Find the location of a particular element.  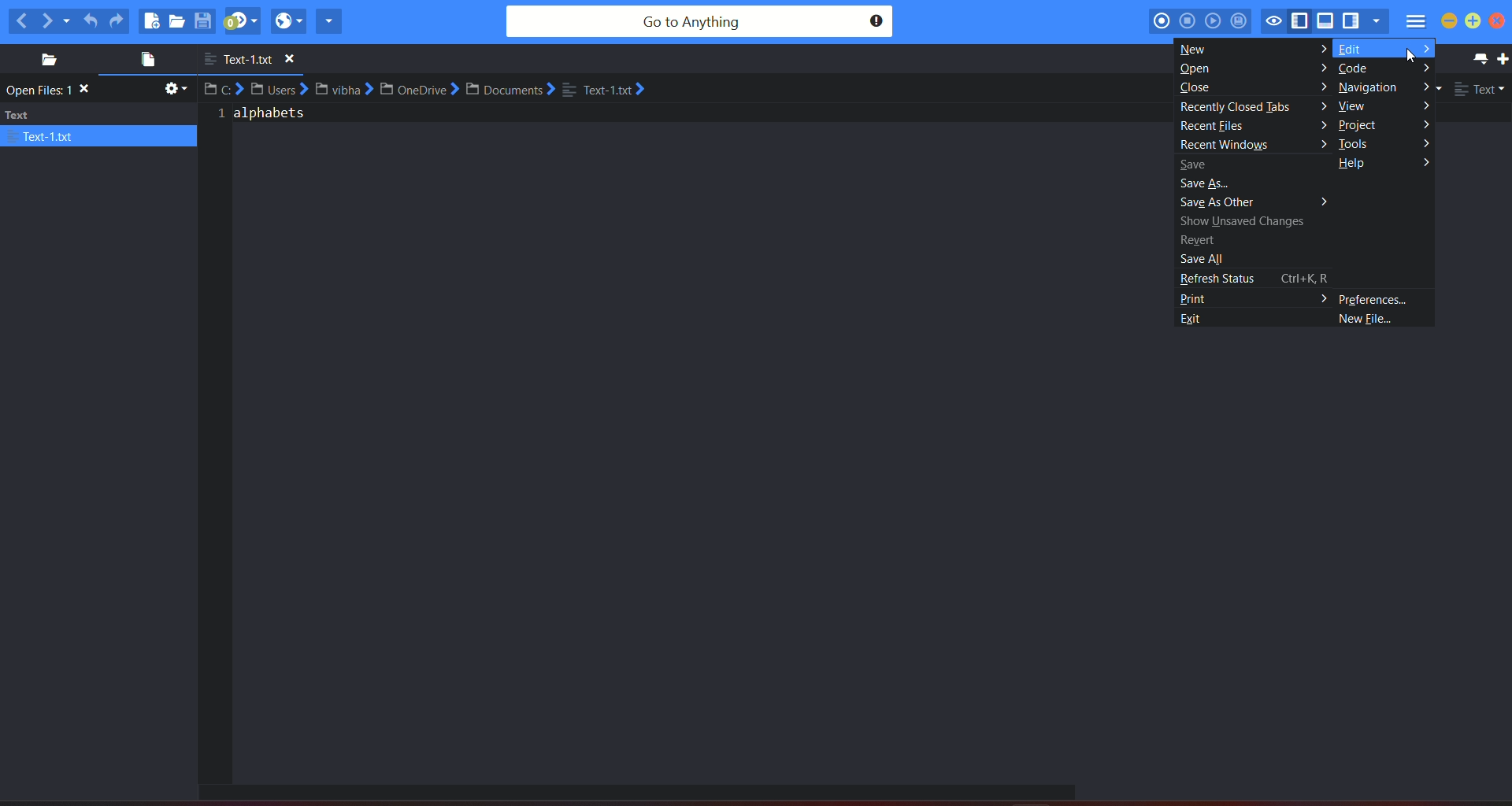

view in browser is located at coordinates (288, 20).